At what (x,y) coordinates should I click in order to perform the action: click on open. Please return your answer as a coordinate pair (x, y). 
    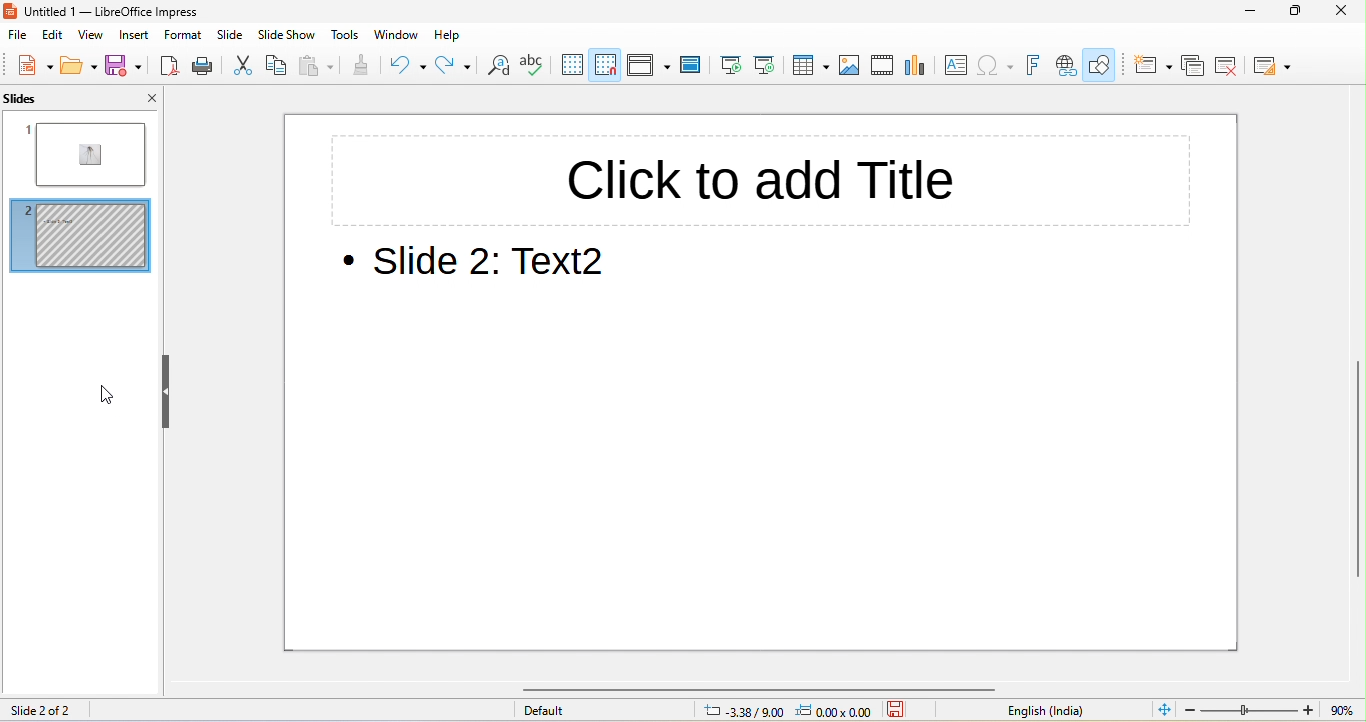
    Looking at the image, I should click on (76, 67).